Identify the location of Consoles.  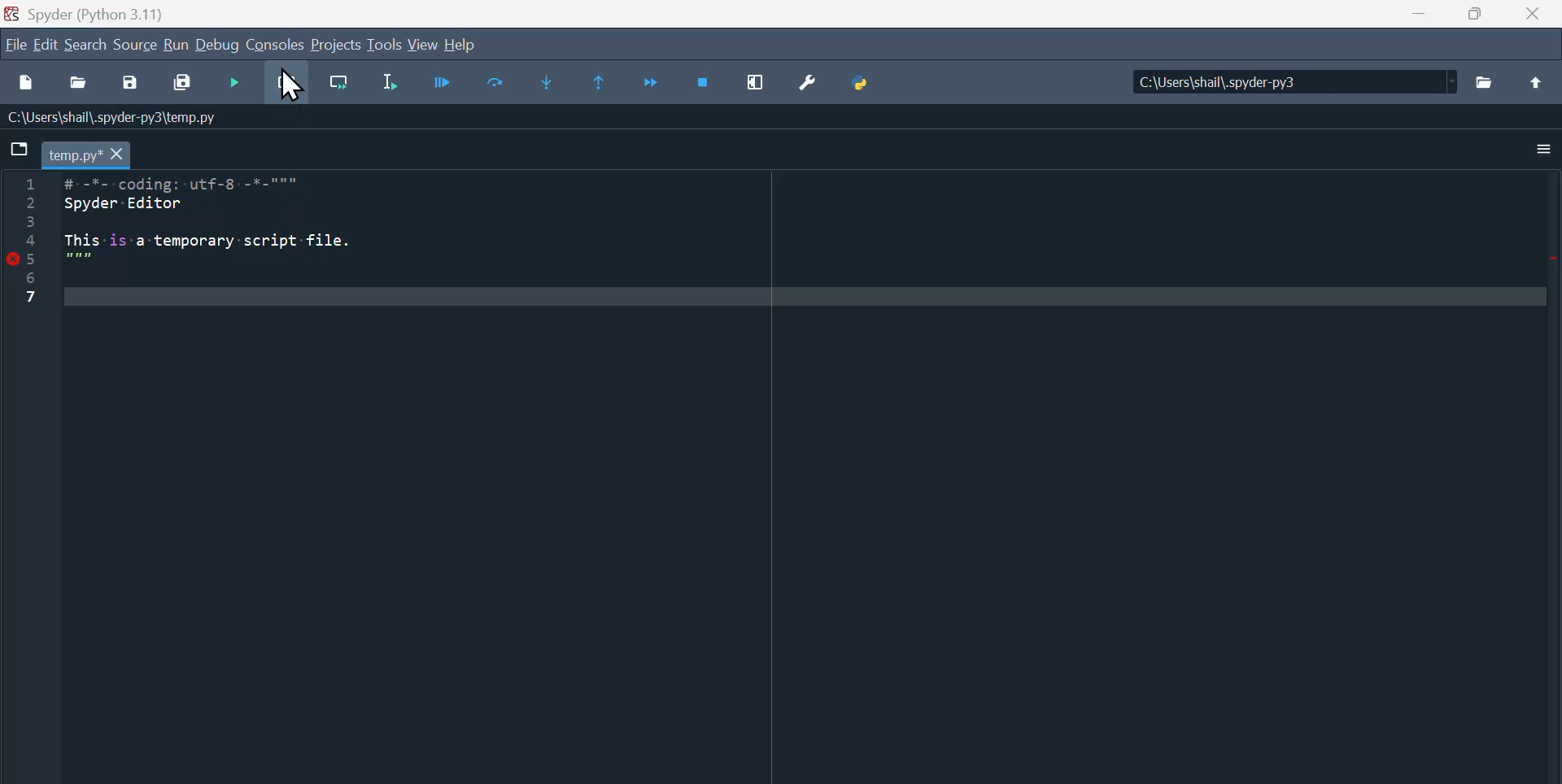
(277, 45).